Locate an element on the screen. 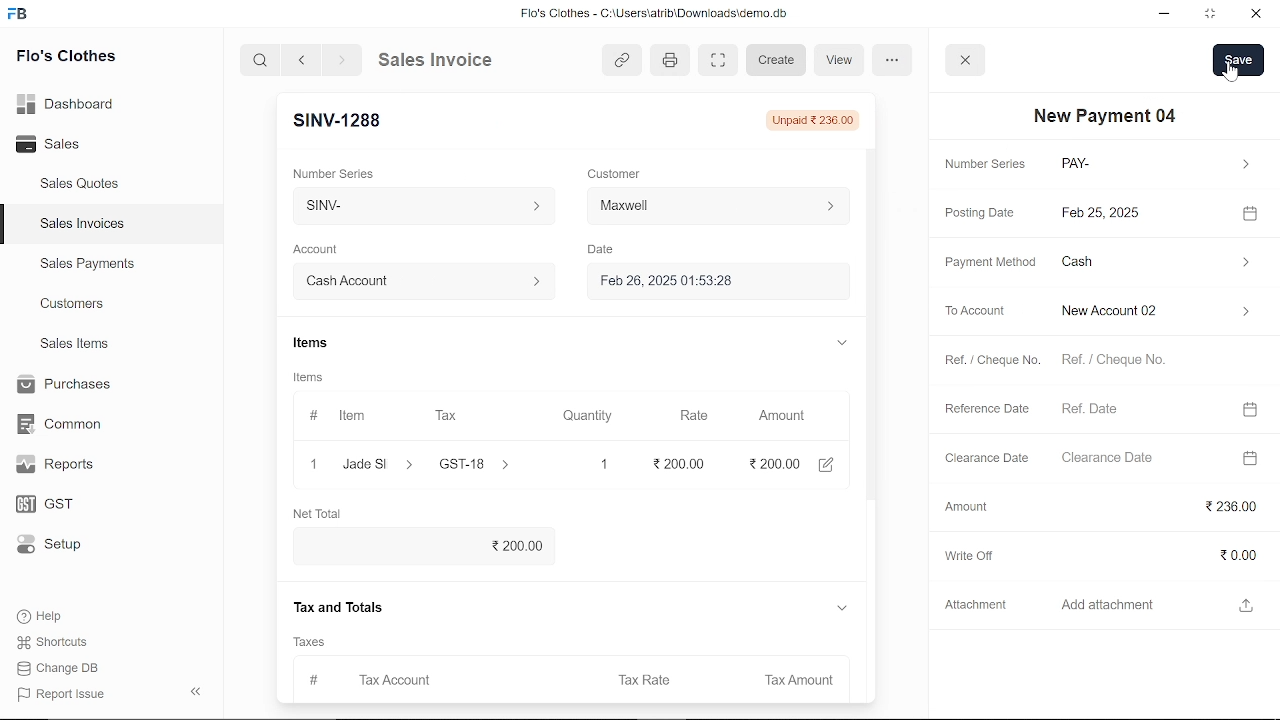 The height and width of the screenshot is (720, 1280). save is located at coordinates (1239, 60).